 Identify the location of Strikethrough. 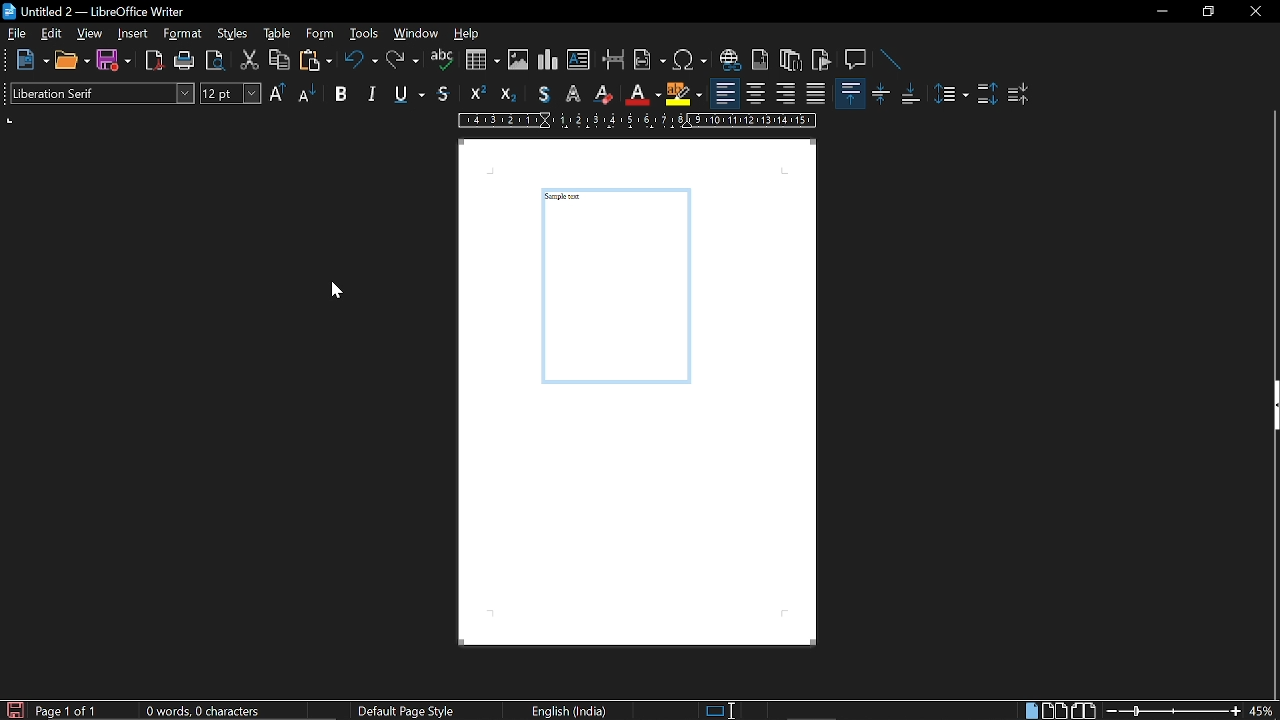
(542, 95).